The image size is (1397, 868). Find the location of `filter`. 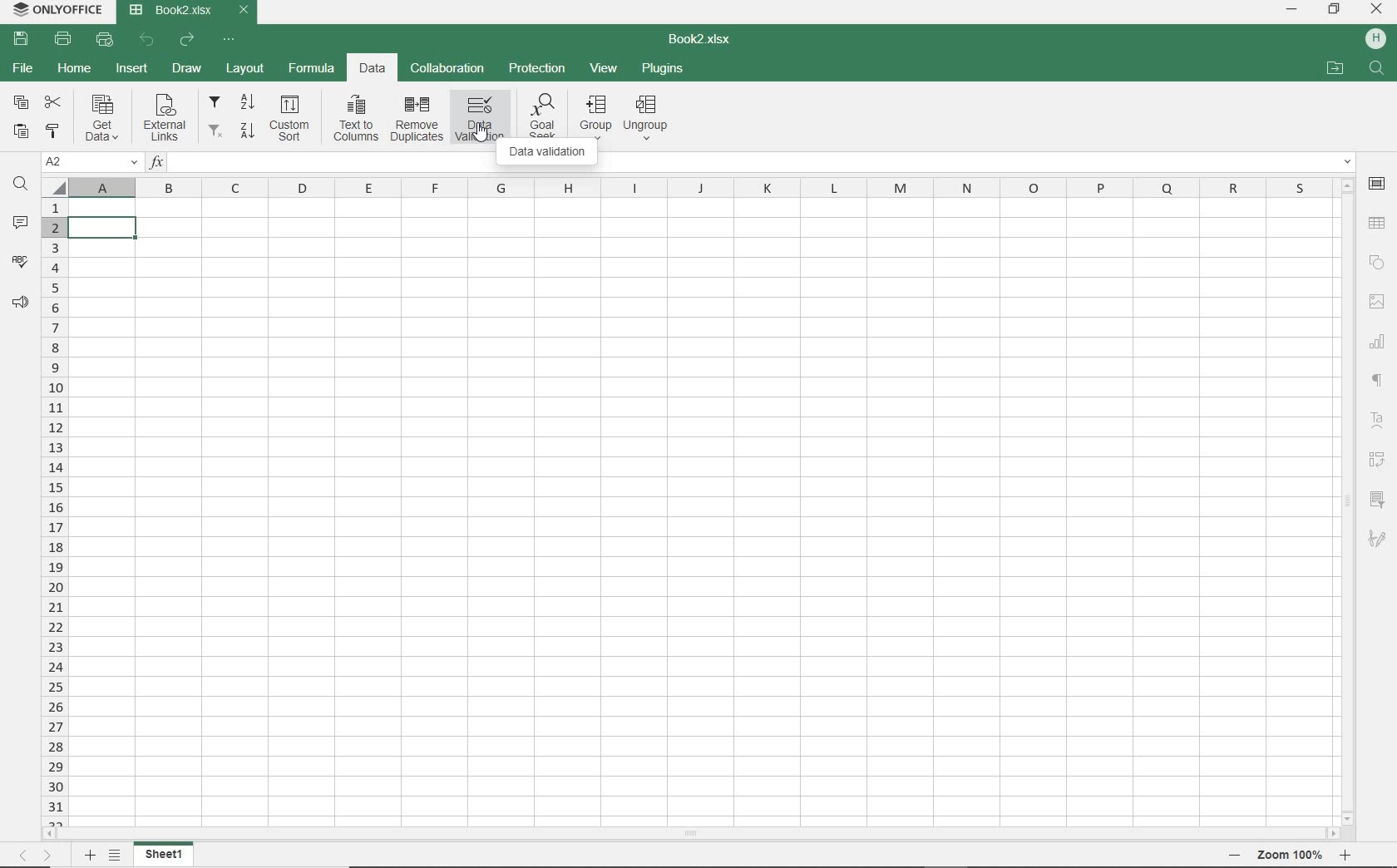

filter is located at coordinates (216, 102).